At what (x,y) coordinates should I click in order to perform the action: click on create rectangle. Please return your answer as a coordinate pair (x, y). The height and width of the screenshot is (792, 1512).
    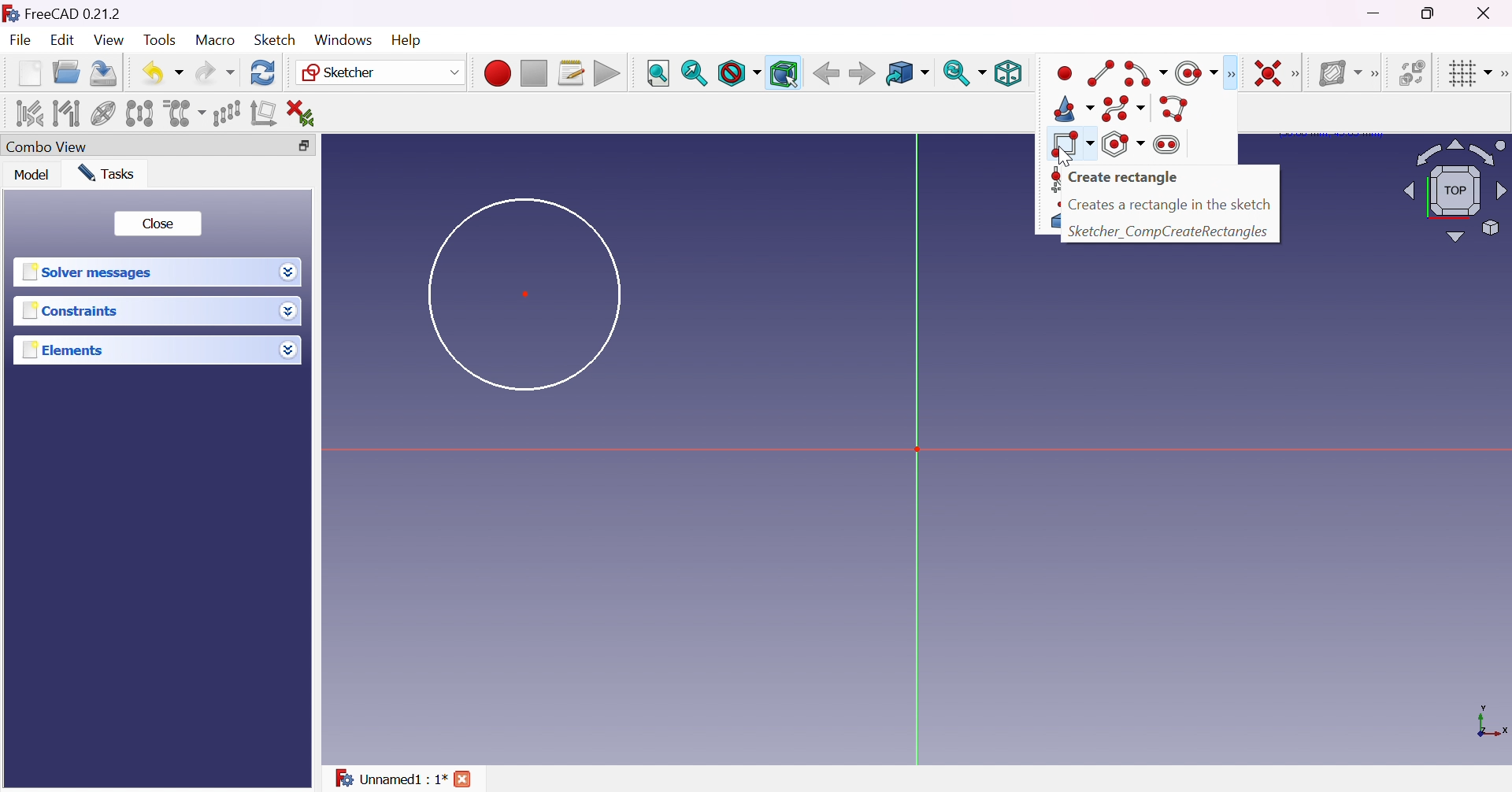
    Looking at the image, I should click on (1073, 144).